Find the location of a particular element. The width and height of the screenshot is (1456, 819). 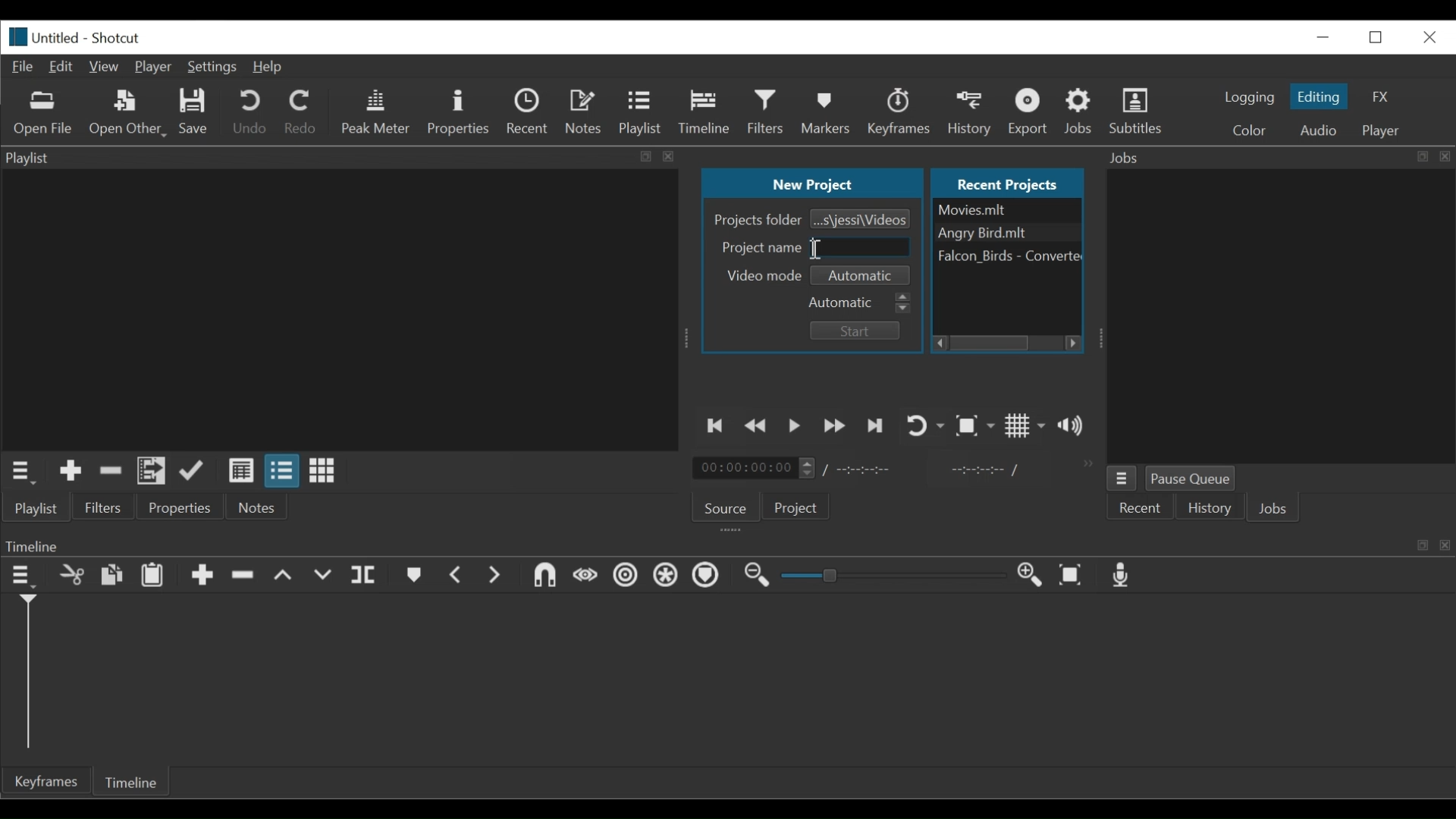

Video mode is located at coordinates (762, 277).